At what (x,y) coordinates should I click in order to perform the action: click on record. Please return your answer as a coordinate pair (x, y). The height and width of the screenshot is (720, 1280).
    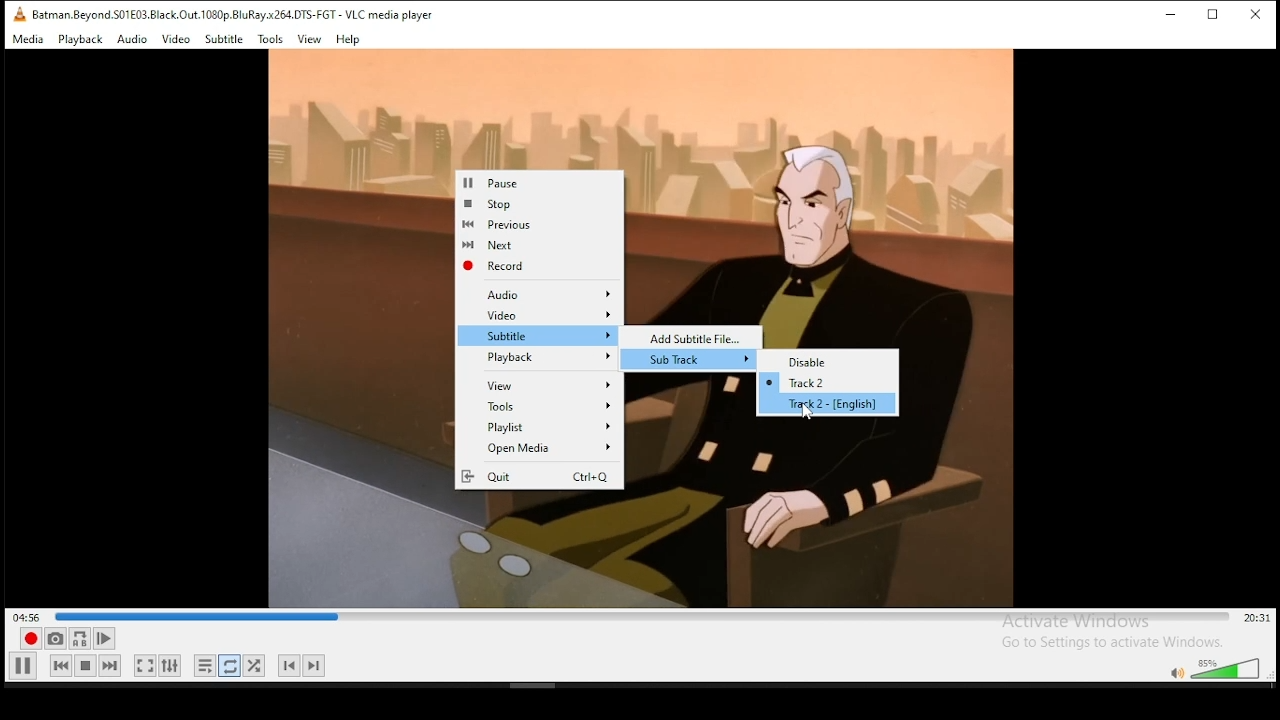
    Looking at the image, I should click on (30, 639).